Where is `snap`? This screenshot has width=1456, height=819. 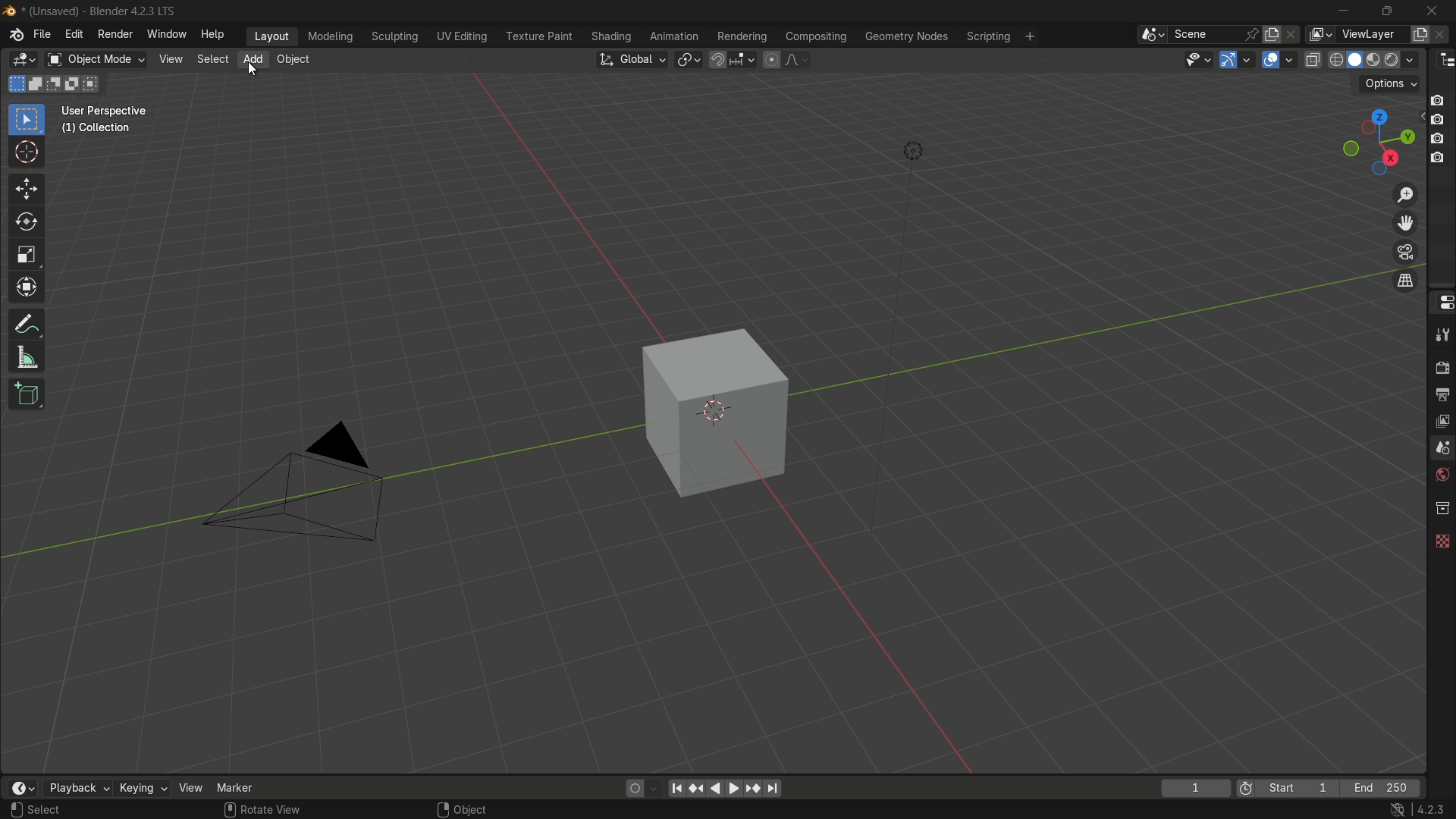 snap is located at coordinates (731, 60).